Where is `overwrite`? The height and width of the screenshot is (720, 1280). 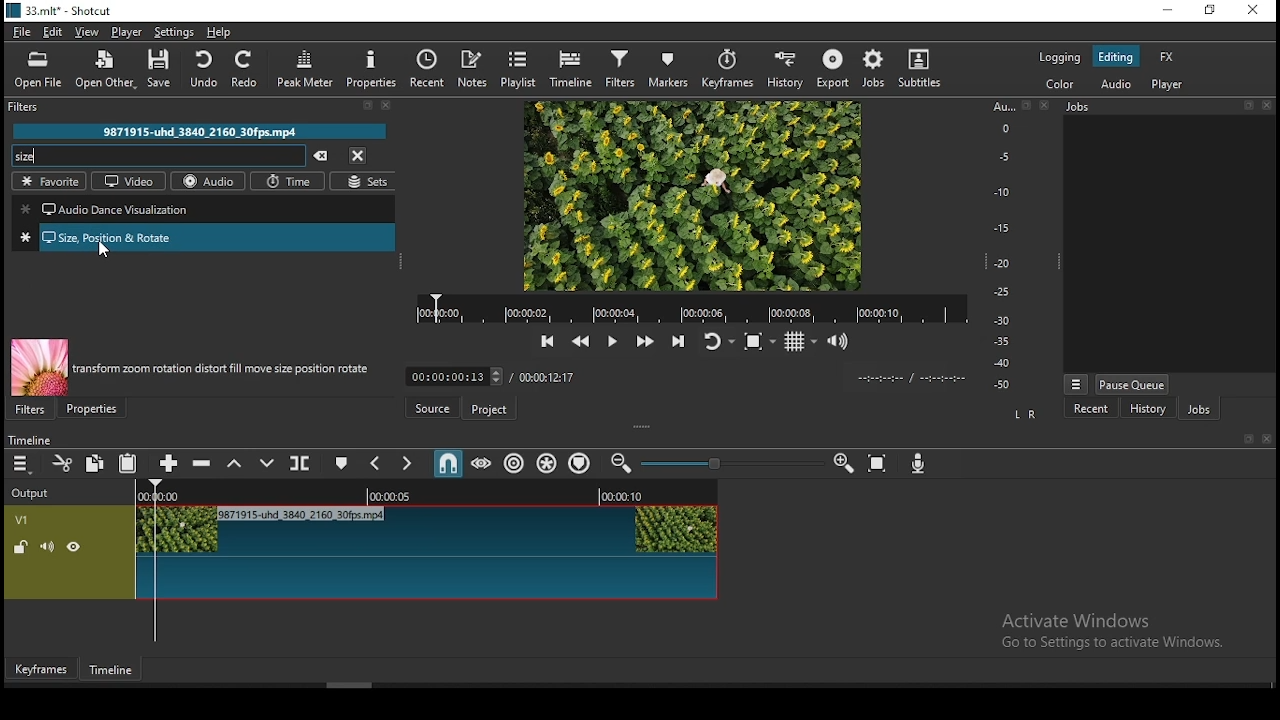 overwrite is located at coordinates (265, 460).